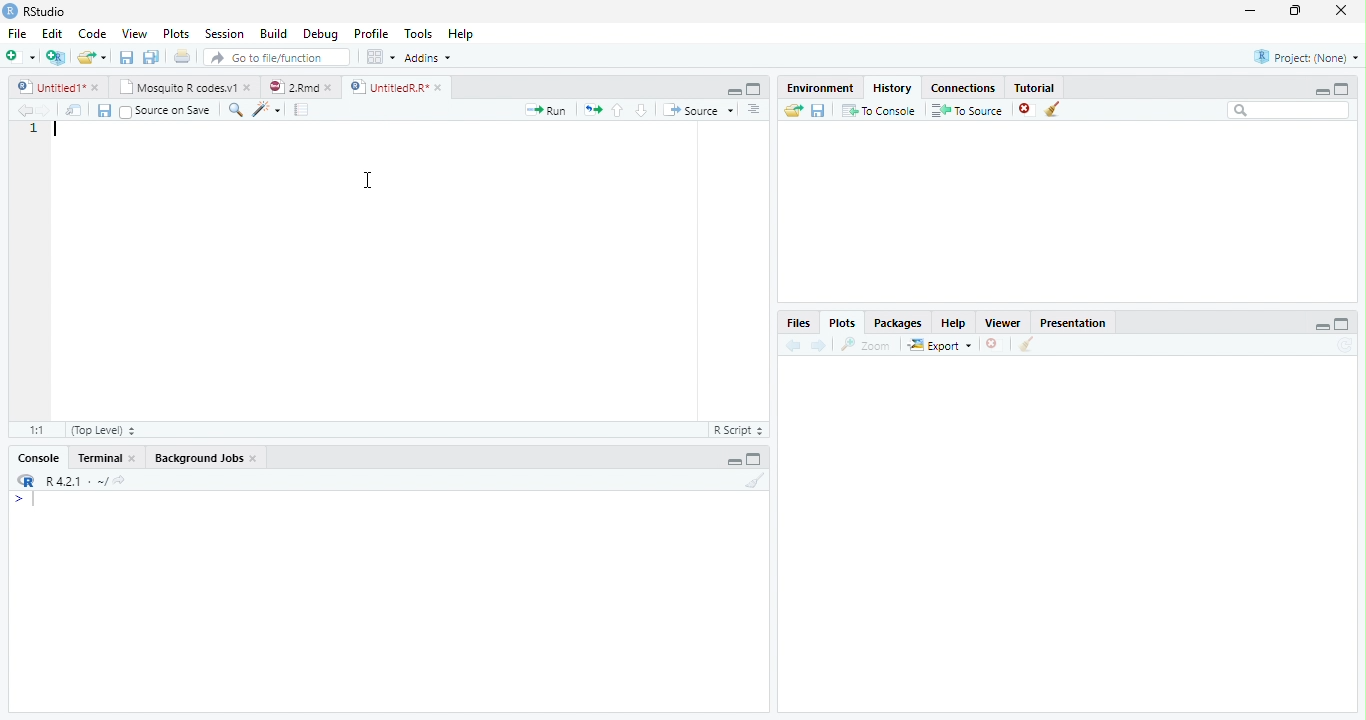 This screenshot has width=1366, height=720. Describe the element at coordinates (791, 111) in the screenshot. I see `Load workspace` at that location.